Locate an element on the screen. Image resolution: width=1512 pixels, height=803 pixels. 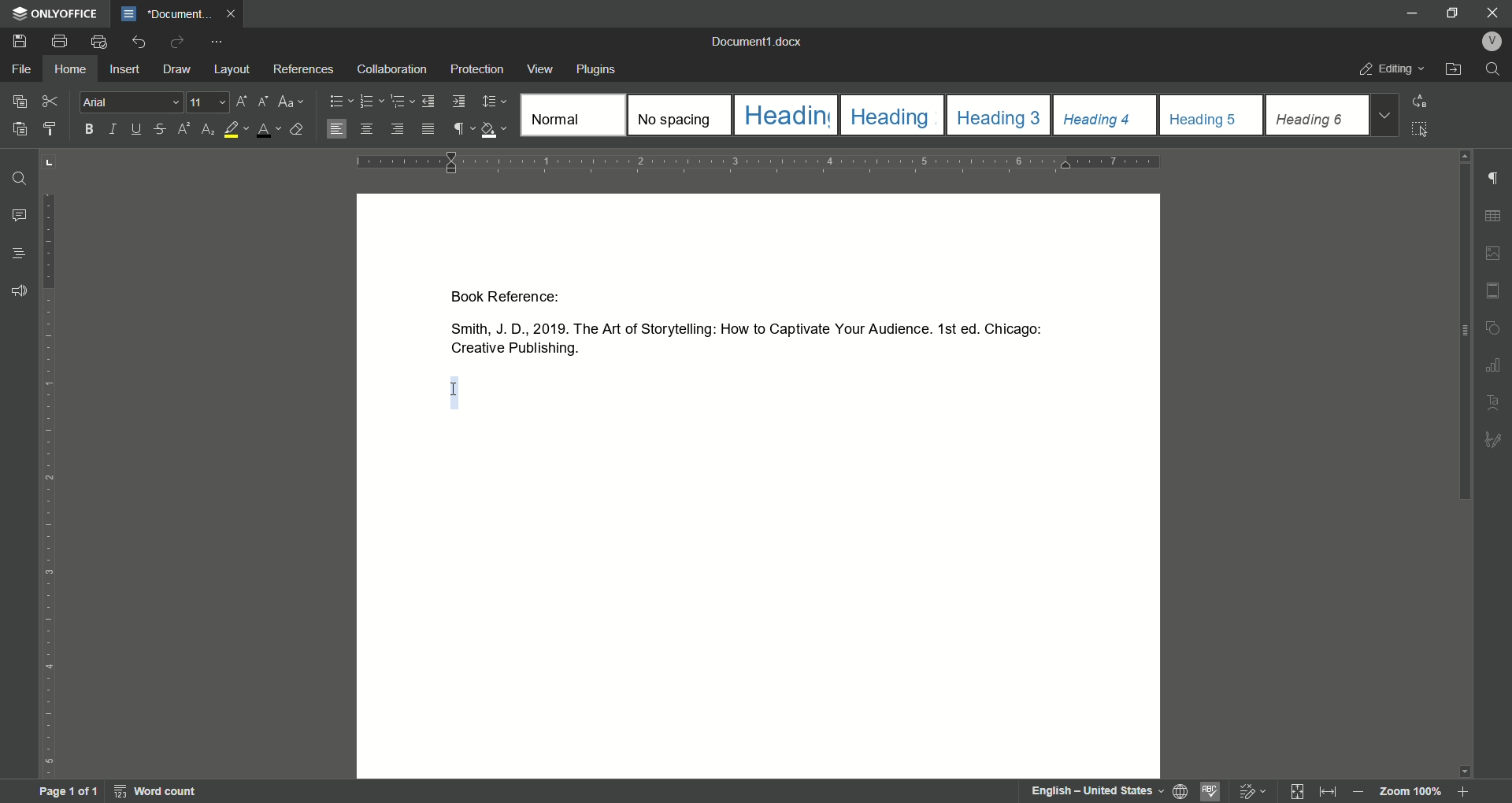
document title is located at coordinates (166, 13).